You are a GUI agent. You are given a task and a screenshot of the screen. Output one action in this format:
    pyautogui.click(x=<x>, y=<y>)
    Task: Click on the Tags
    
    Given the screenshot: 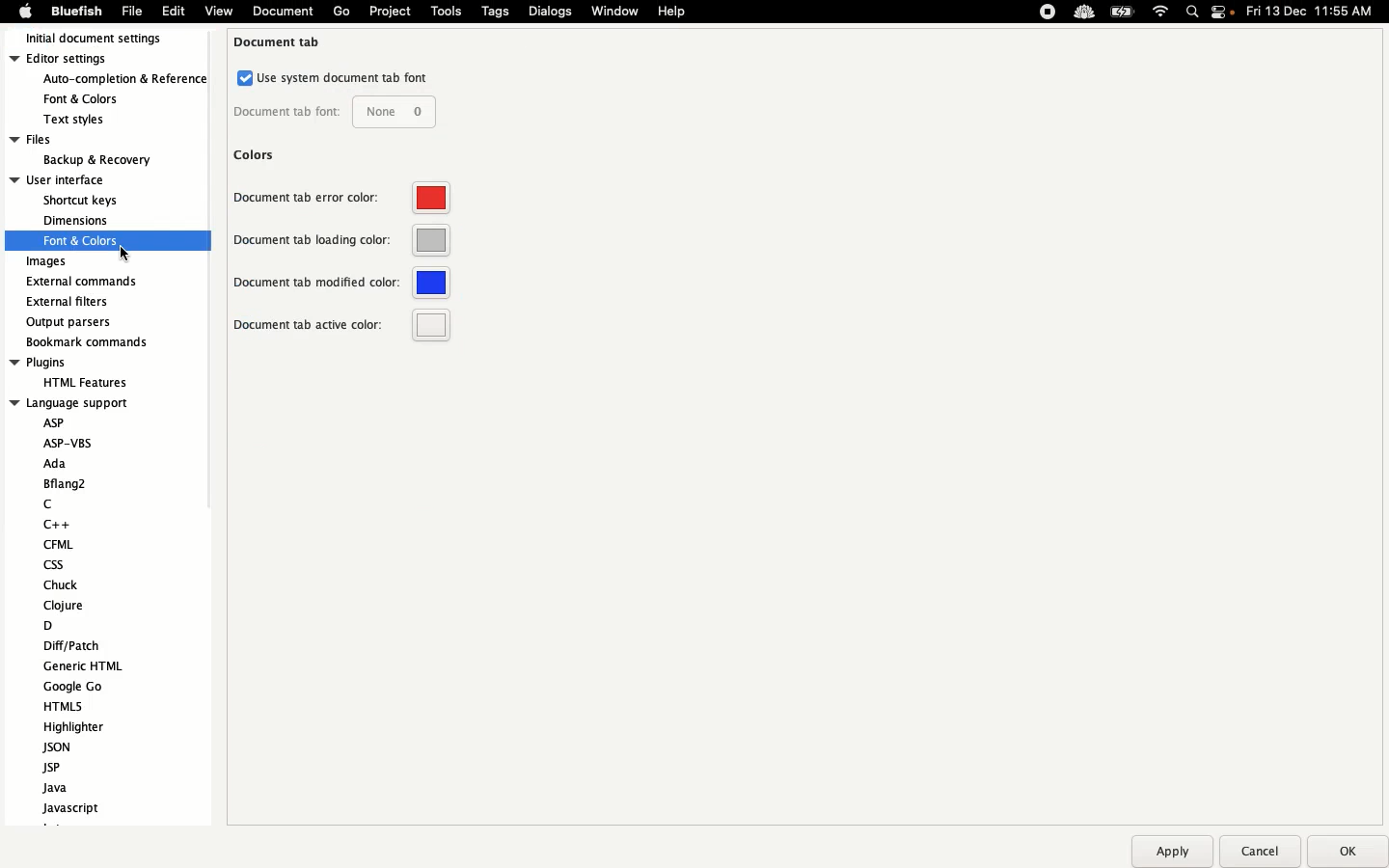 What is the action you would take?
    pyautogui.click(x=497, y=11)
    